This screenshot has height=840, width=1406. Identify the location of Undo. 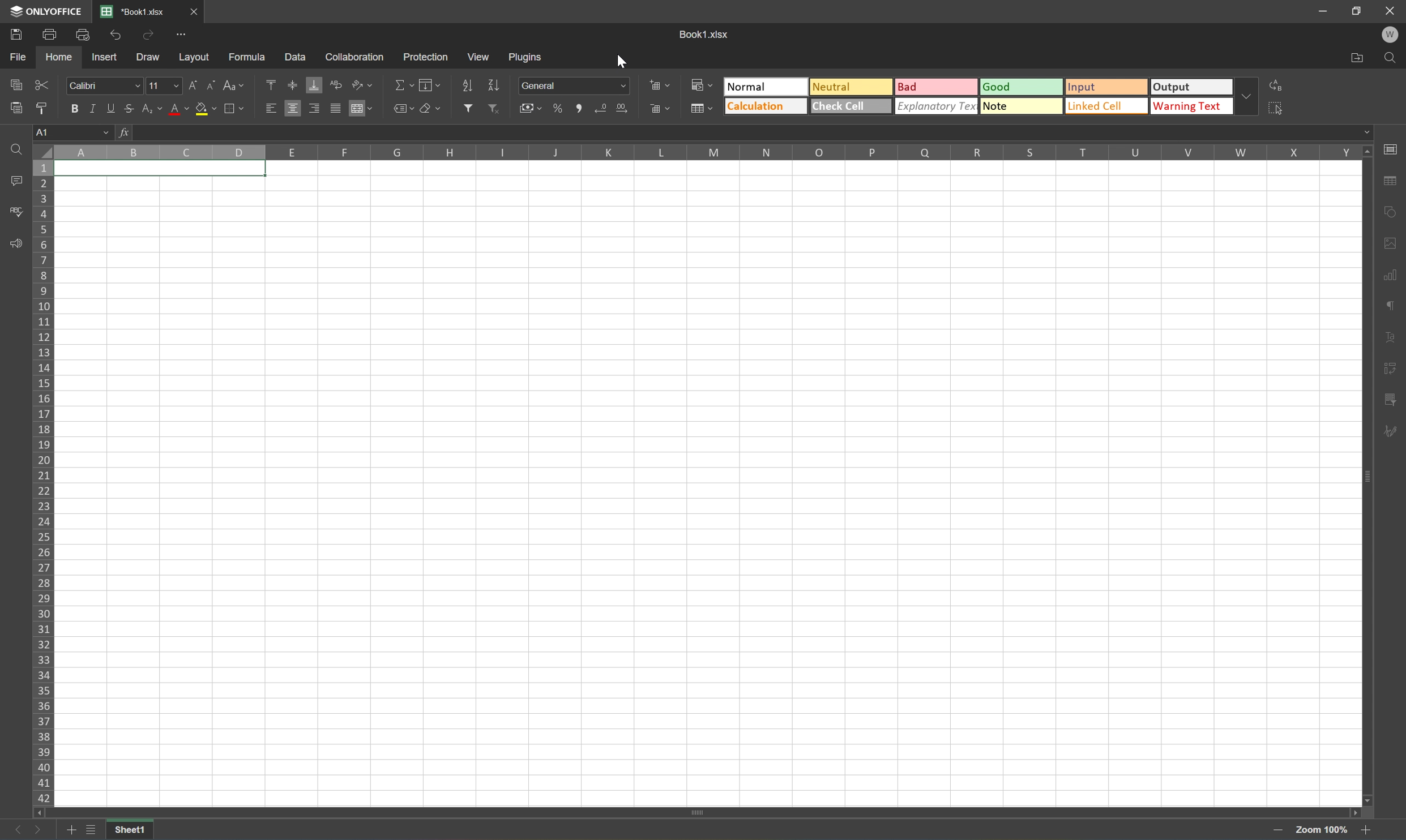
(117, 35).